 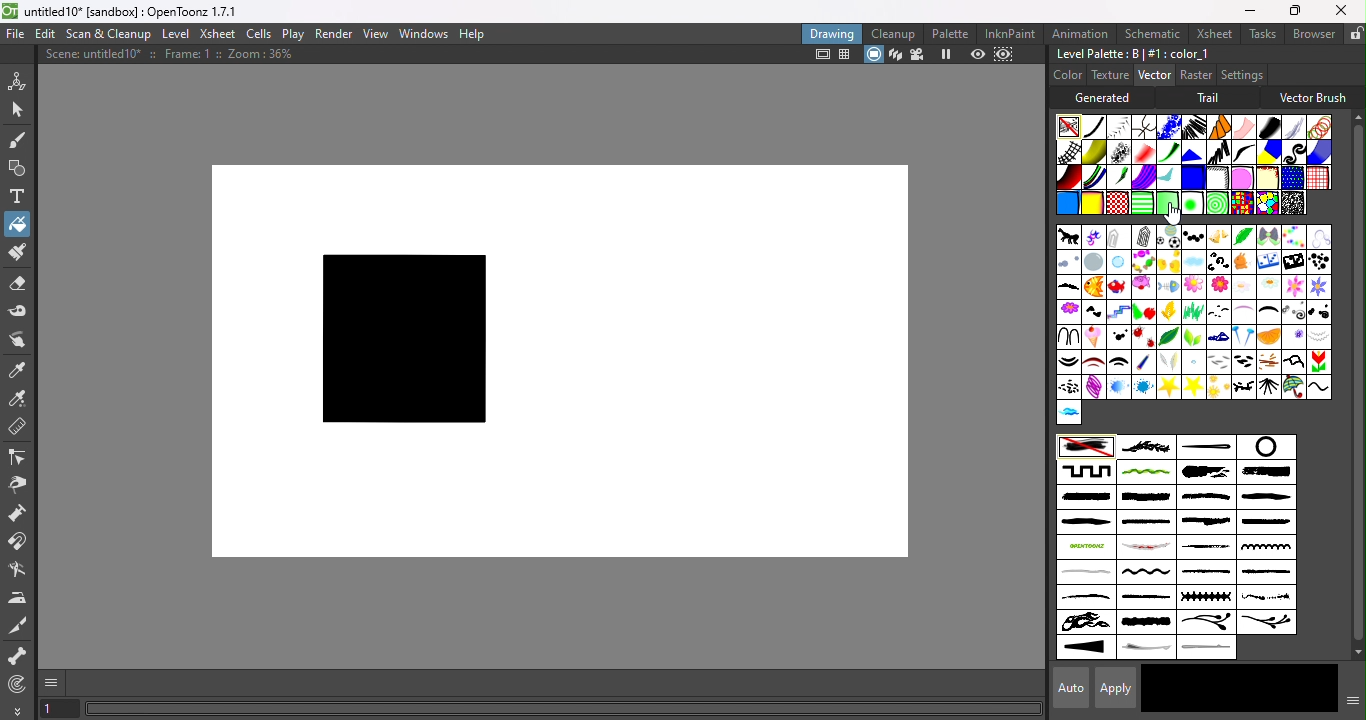 What do you see at coordinates (1118, 286) in the screenshot?
I see `fish2` at bounding box center [1118, 286].